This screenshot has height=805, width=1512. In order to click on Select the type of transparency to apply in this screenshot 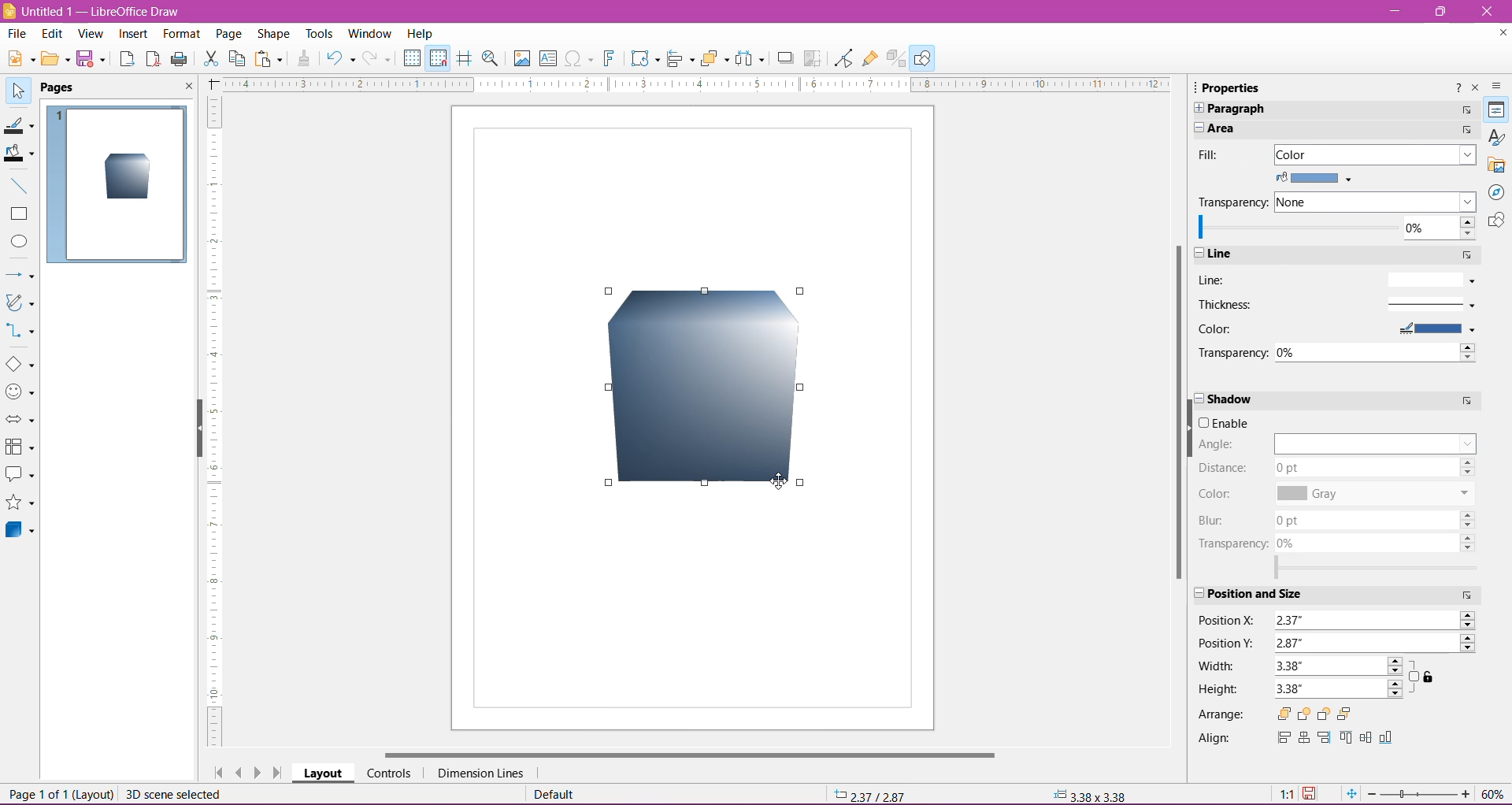, I will do `click(1377, 202)`.